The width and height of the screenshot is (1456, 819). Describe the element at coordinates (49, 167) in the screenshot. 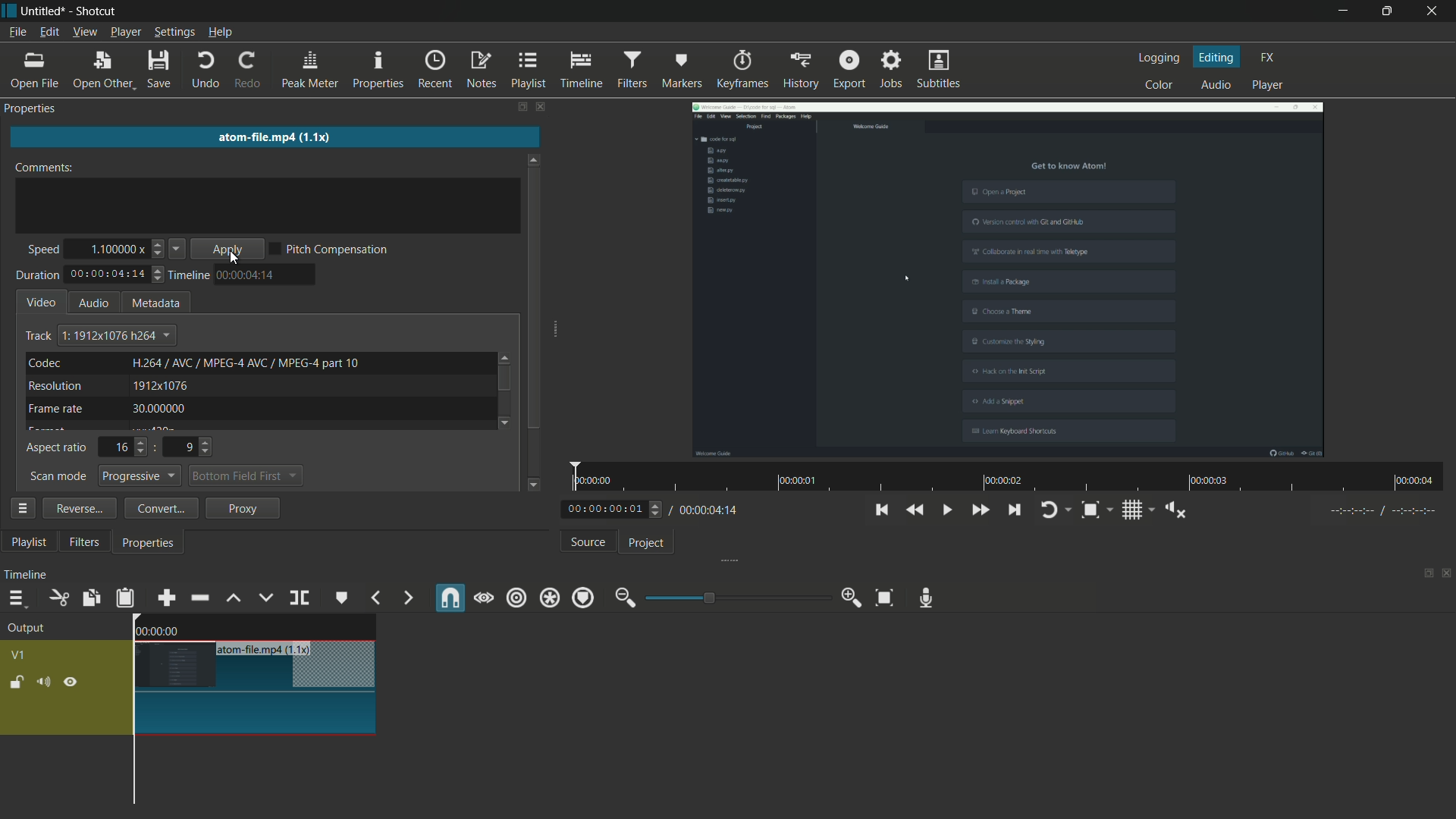

I see `comments` at that location.